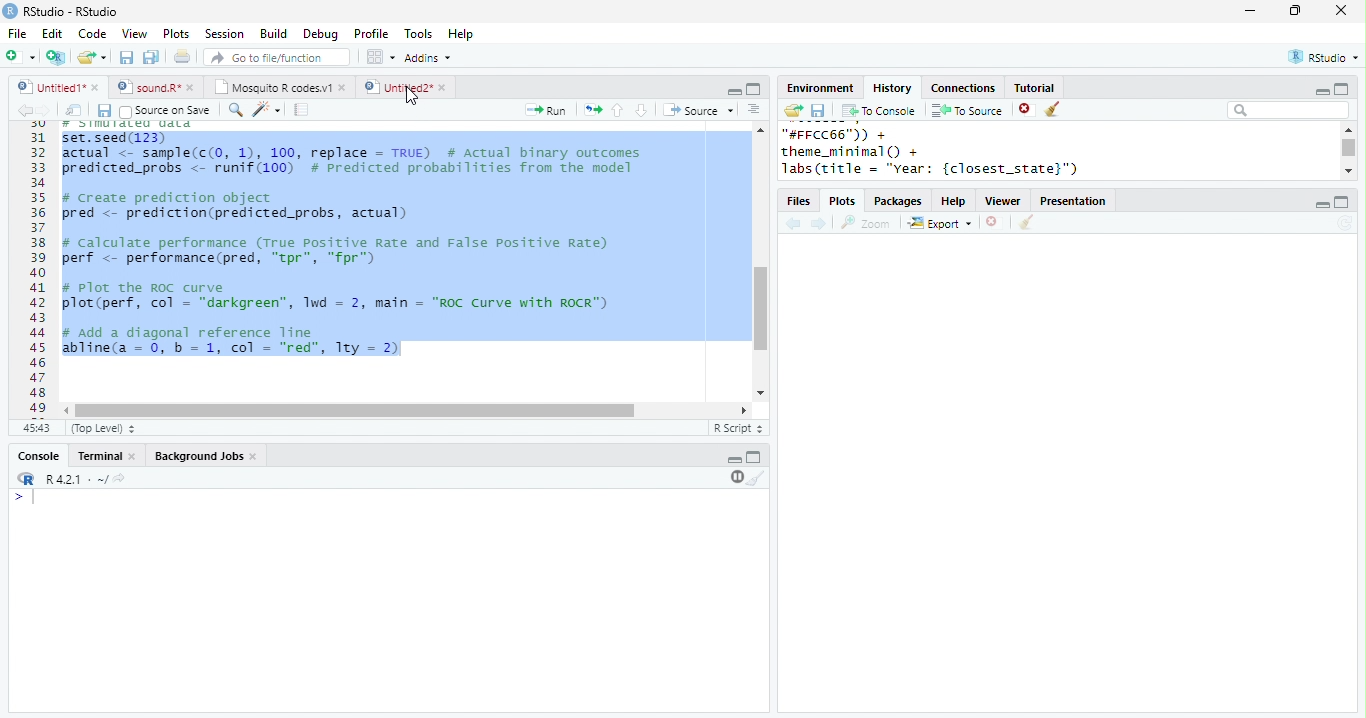 Image resolution: width=1366 pixels, height=718 pixels. I want to click on scroll up, so click(1347, 129).